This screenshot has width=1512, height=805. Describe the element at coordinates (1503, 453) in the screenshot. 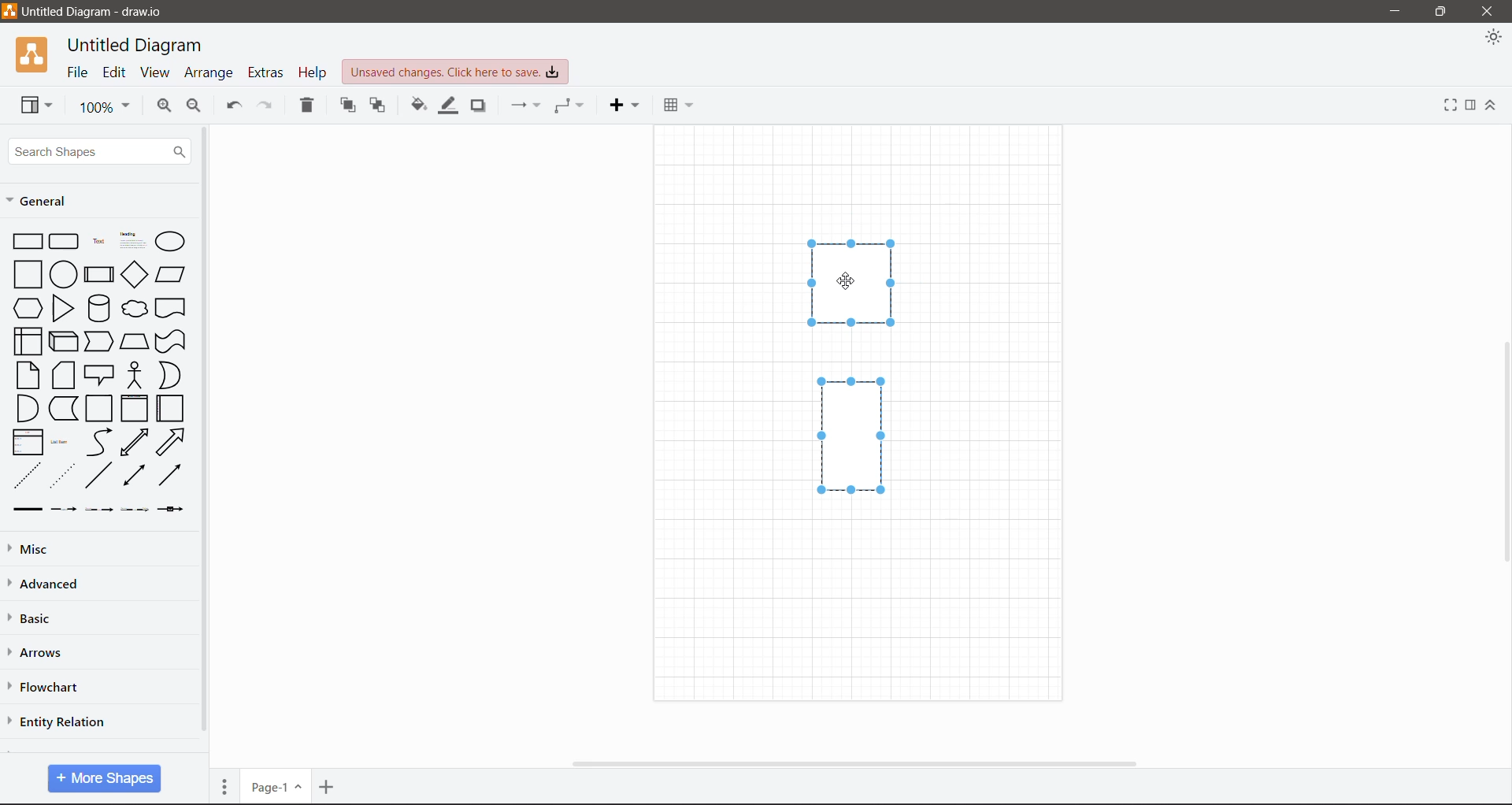

I see `Vertical Scroll Bar` at that location.